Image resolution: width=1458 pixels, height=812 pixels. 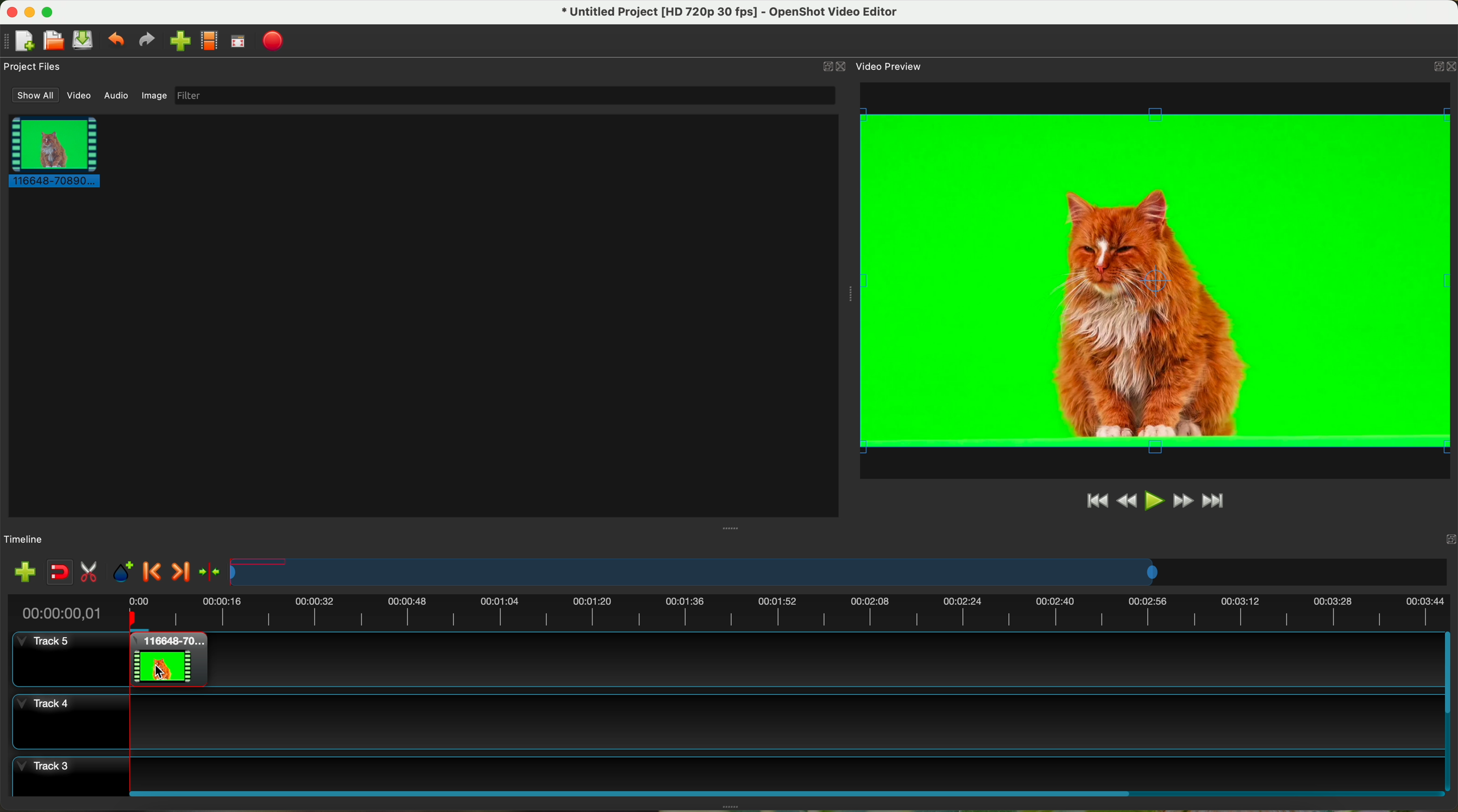 What do you see at coordinates (1096, 500) in the screenshot?
I see `jump to start` at bounding box center [1096, 500].